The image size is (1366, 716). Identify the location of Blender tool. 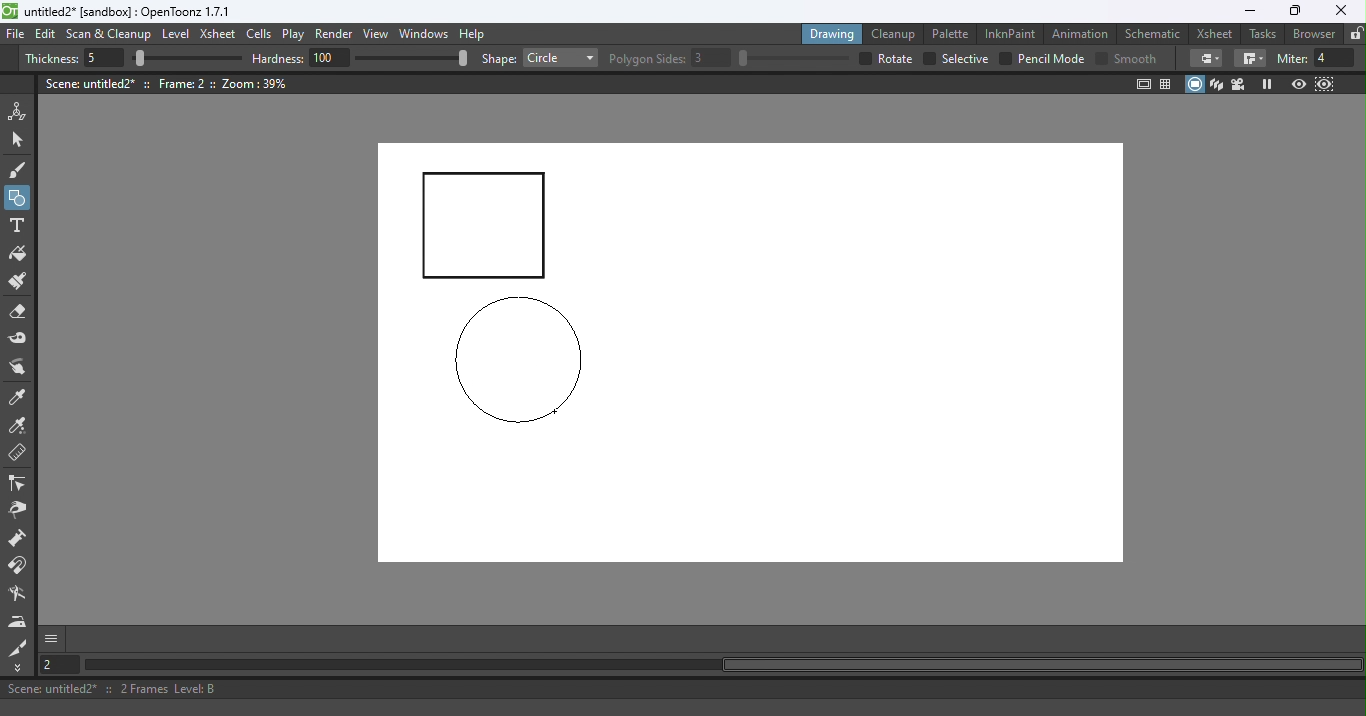
(21, 595).